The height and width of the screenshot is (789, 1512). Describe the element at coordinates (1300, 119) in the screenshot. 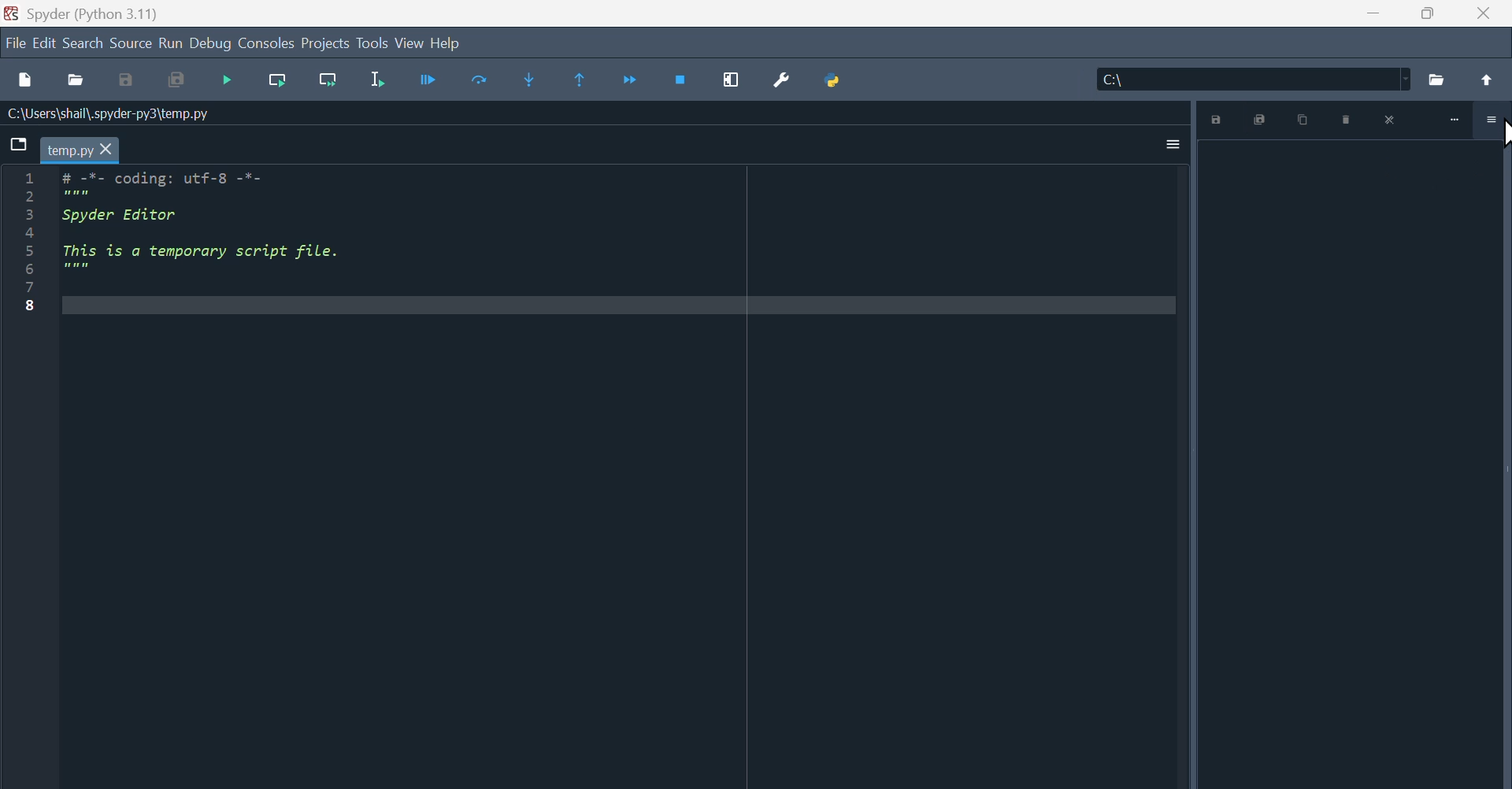

I see `Copy plot to clipboard as image` at that location.